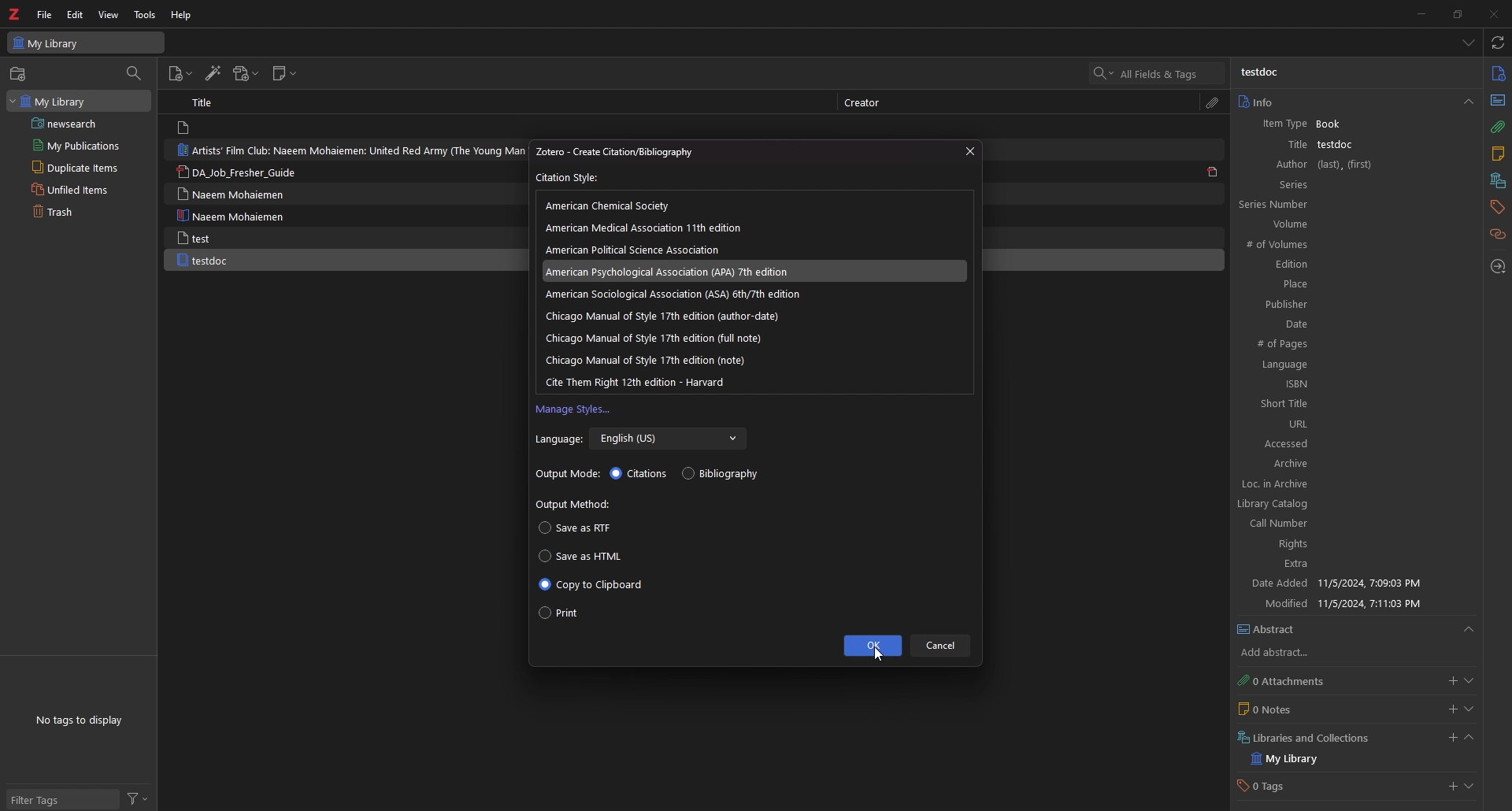 This screenshot has height=811, width=1512. Describe the element at coordinates (639, 381) in the screenshot. I see `cite them right 12th edition harvard` at that location.